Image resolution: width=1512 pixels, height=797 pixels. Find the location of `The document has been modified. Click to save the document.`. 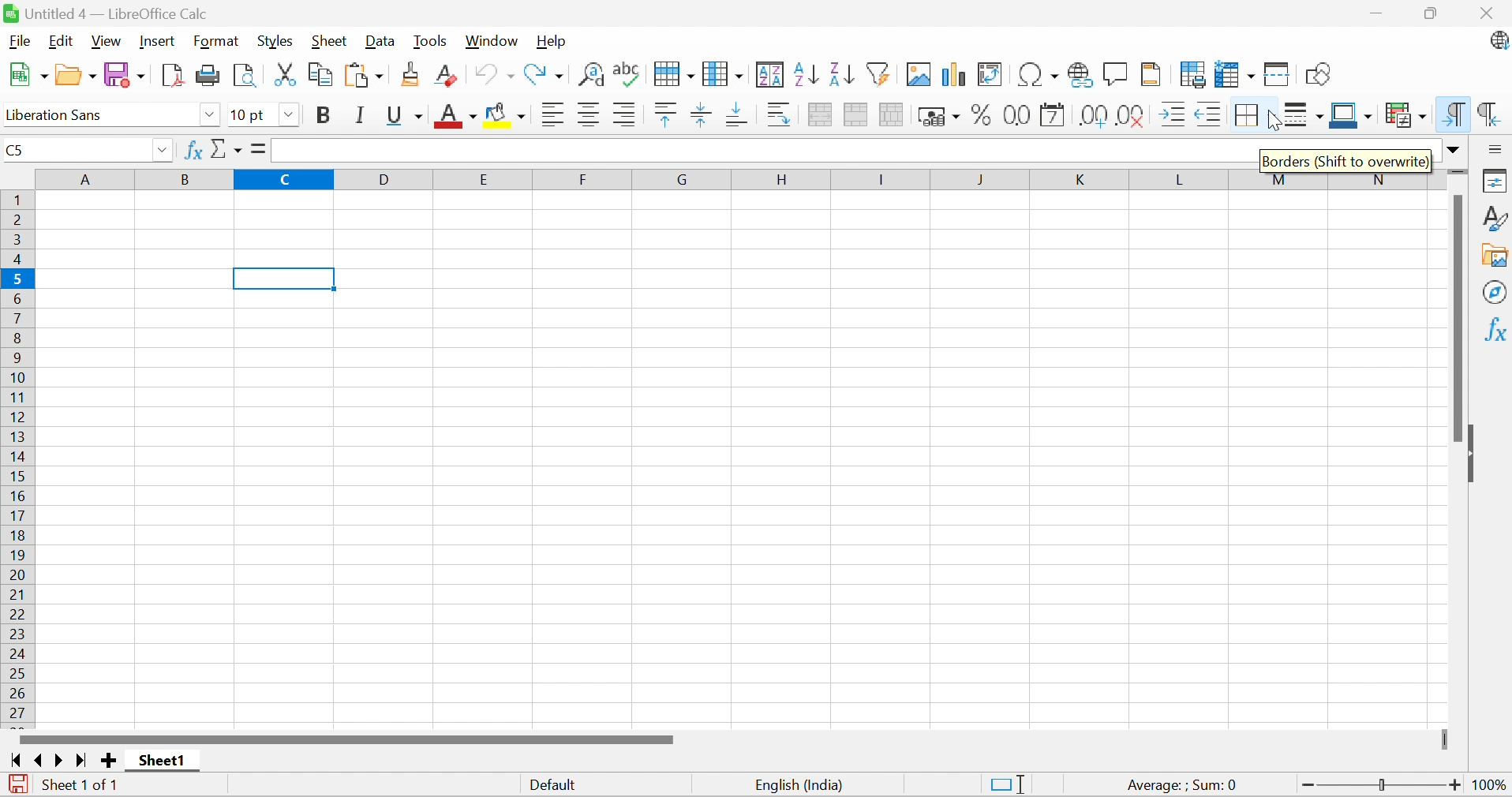

The document has been modified. Click to save the document. is located at coordinates (18, 786).